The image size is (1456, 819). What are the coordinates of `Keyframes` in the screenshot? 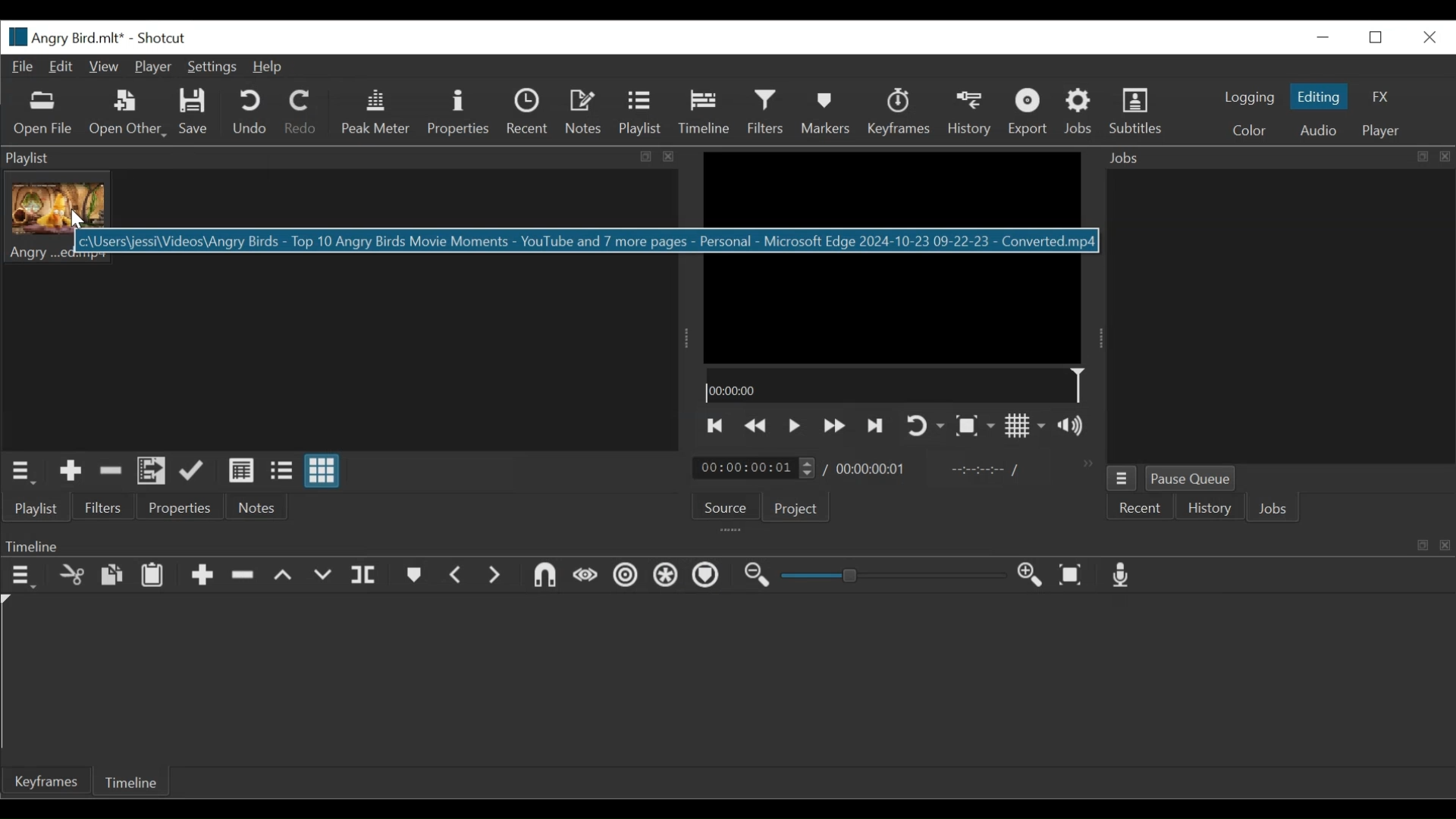 It's located at (902, 114).